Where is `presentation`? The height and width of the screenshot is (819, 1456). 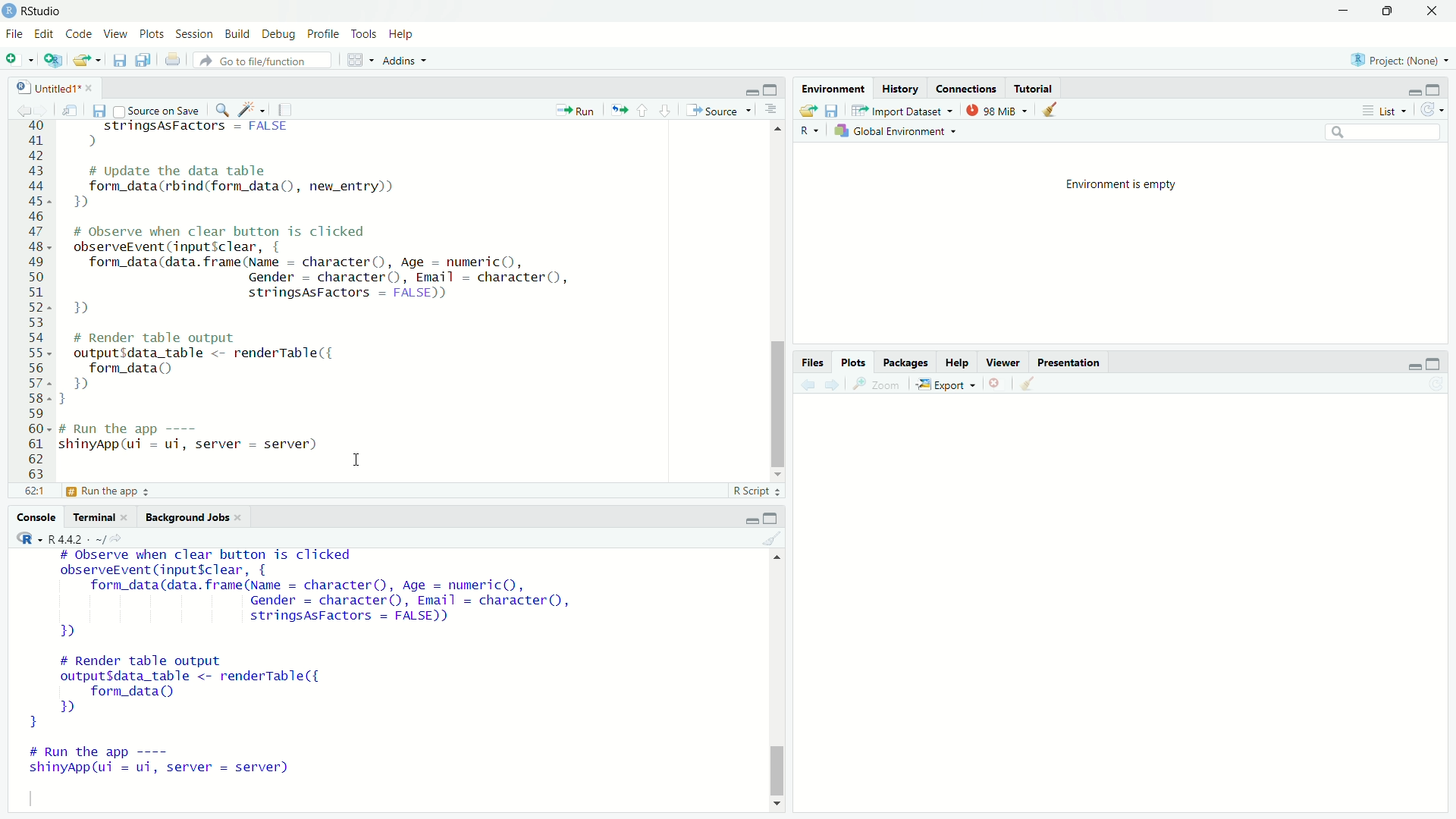 presentation is located at coordinates (1069, 362).